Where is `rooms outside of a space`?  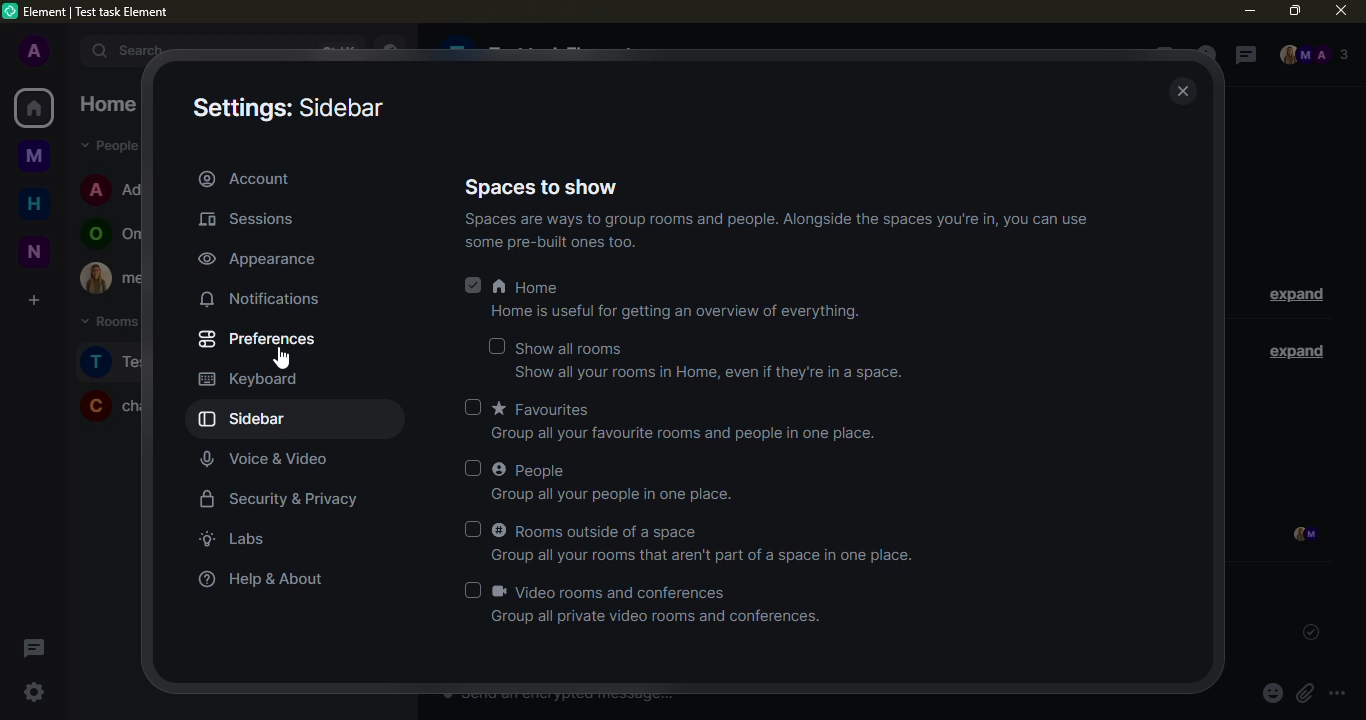 rooms outside of a space is located at coordinates (597, 530).